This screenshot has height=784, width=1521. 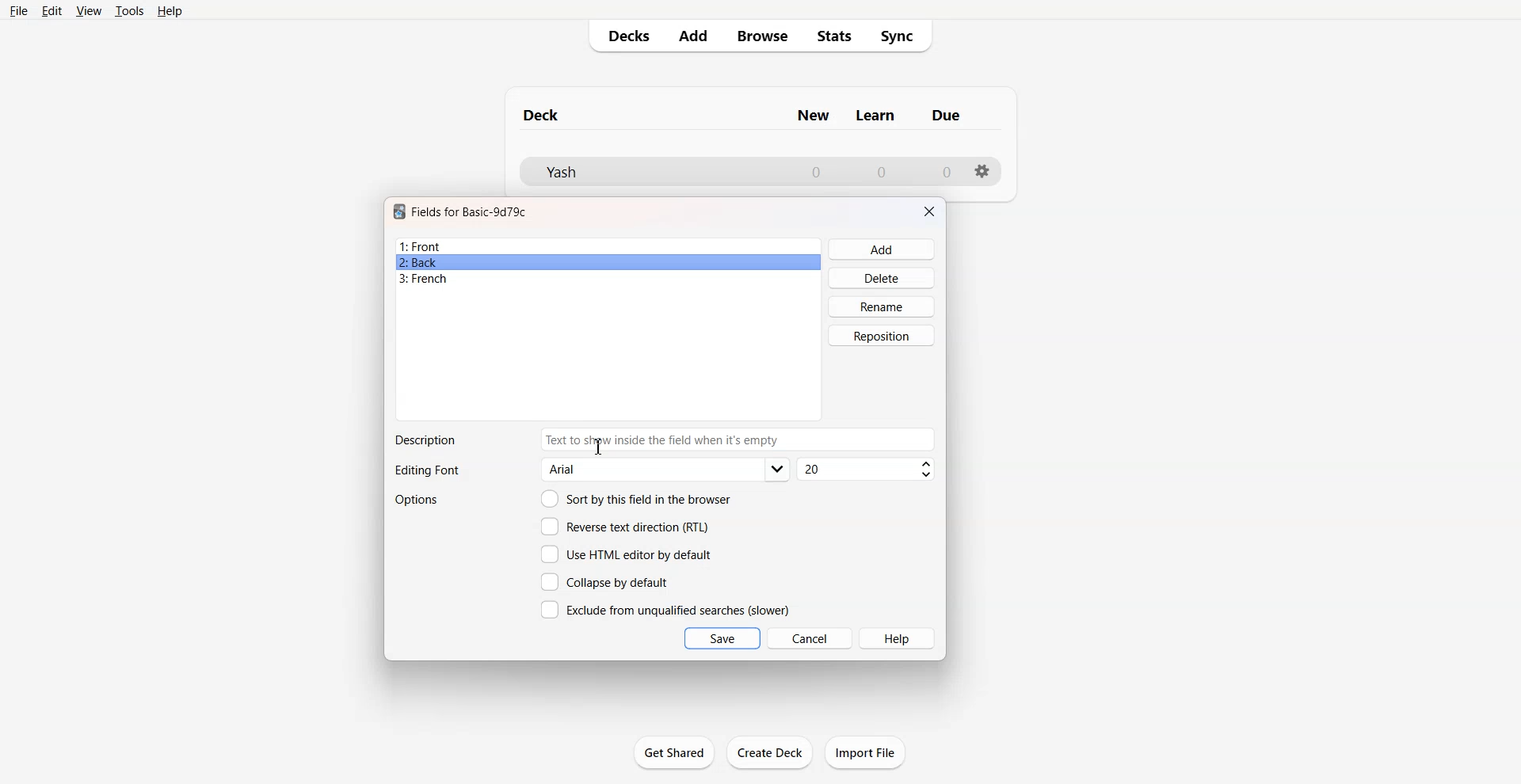 What do you see at coordinates (626, 554) in the screenshot?
I see `Use HTML editor by default` at bounding box center [626, 554].